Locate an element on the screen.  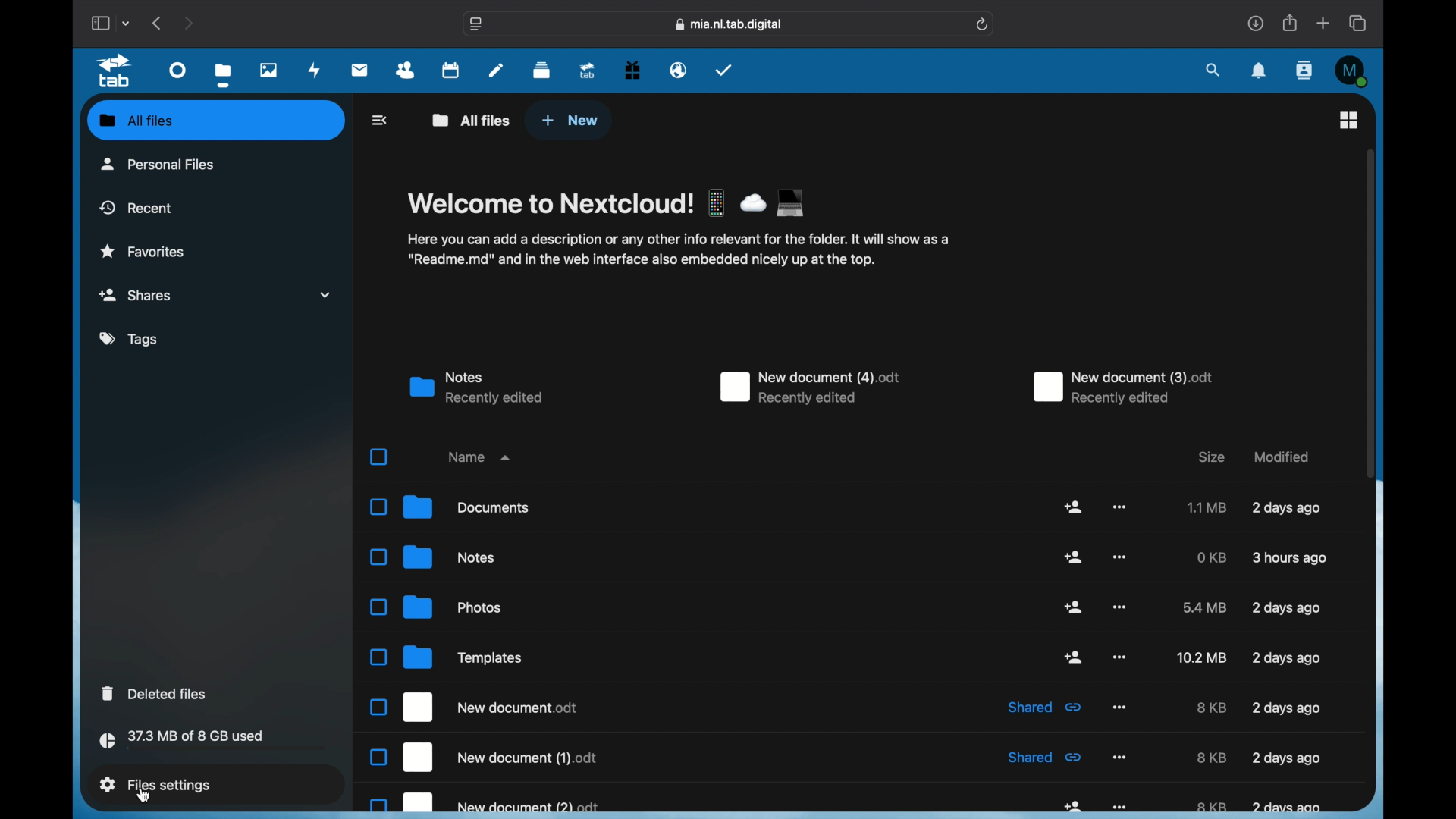
tab is located at coordinates (115, 71).